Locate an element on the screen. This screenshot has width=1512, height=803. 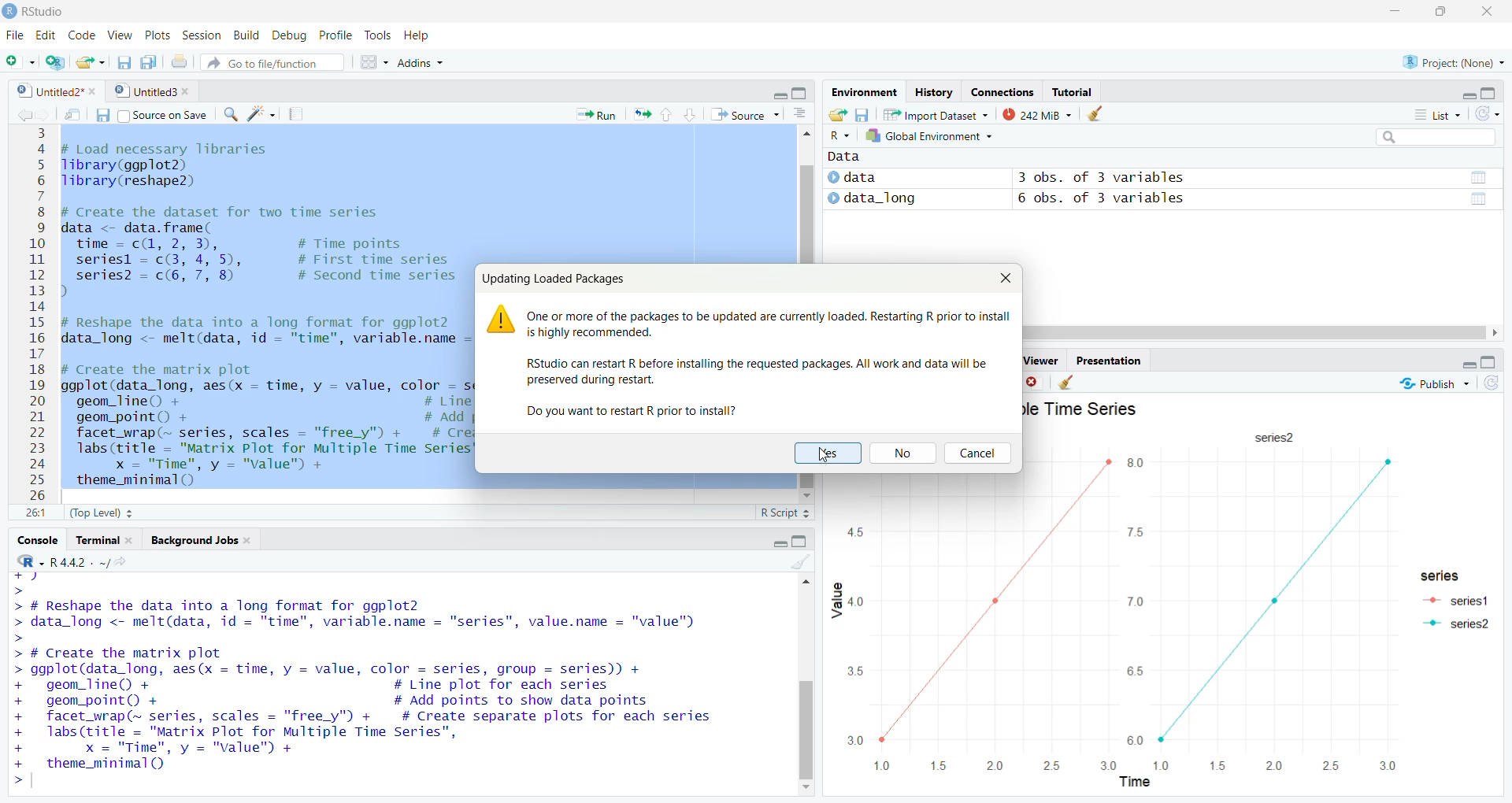
Updating Loaded Packages is located at coordinates (554, 279).